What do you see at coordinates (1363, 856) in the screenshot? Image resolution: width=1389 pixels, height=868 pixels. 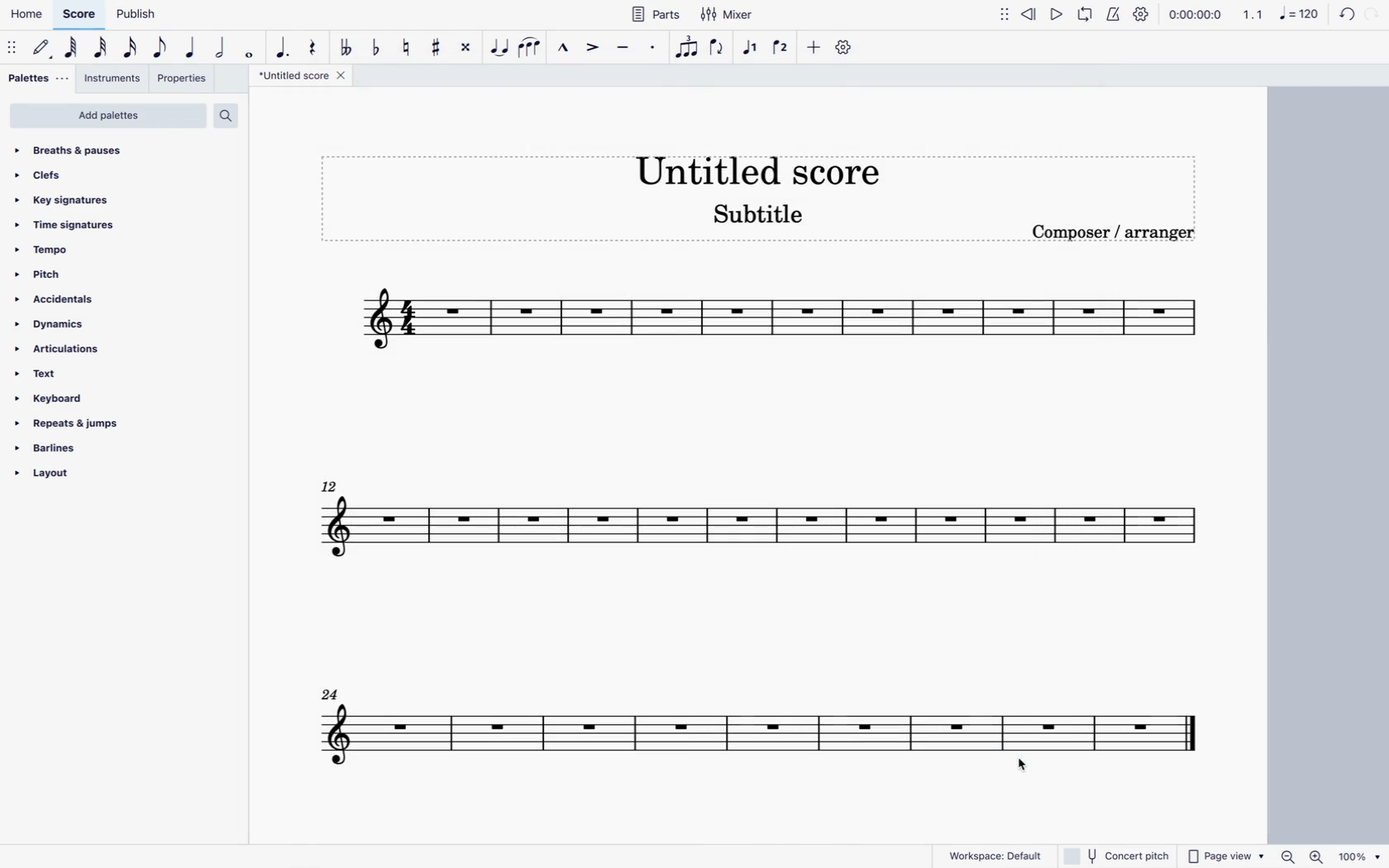 I see `zoom percentage` at bounding box center [1363, 856].